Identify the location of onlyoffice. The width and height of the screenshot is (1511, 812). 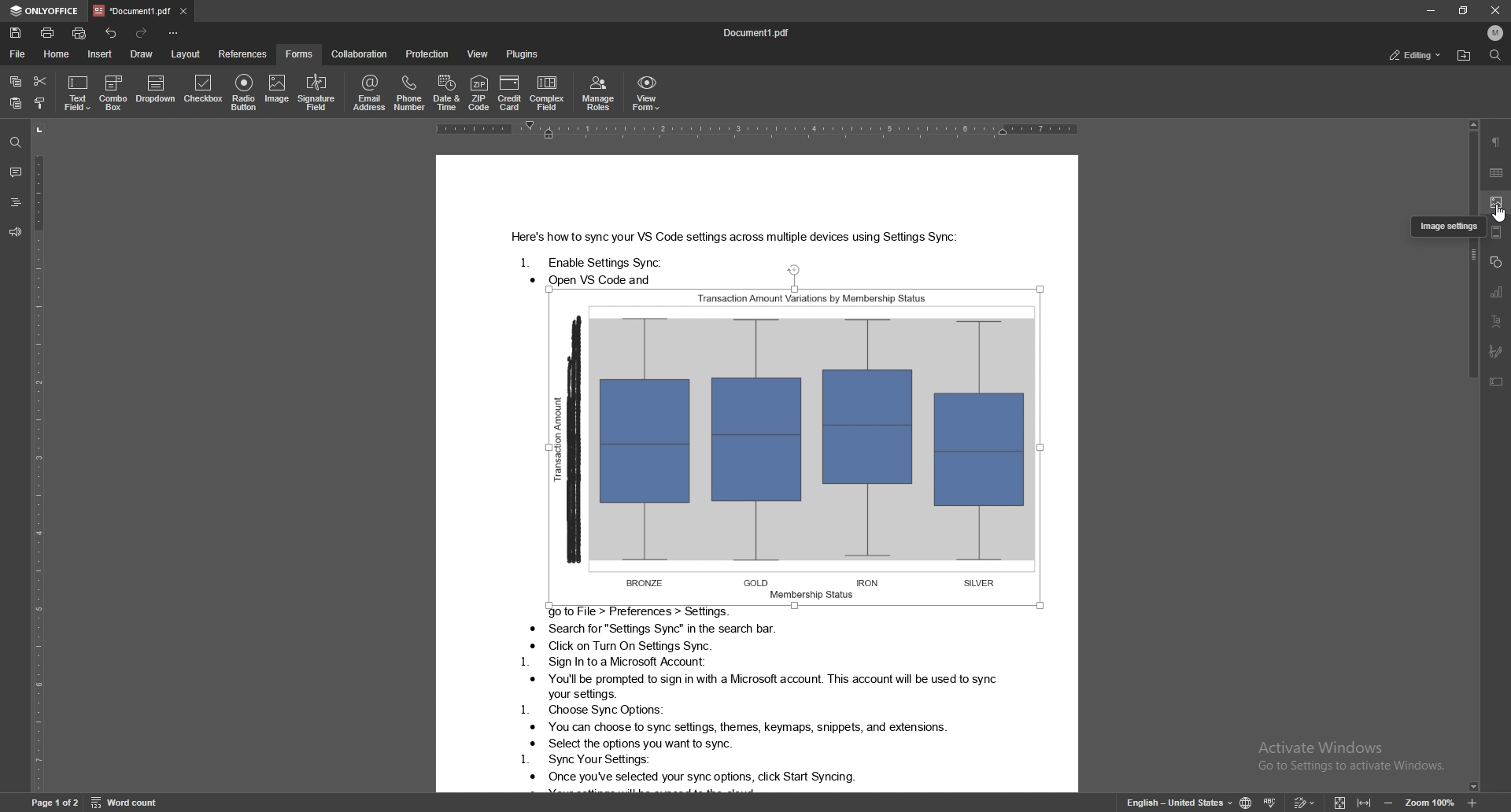
(44, 10).